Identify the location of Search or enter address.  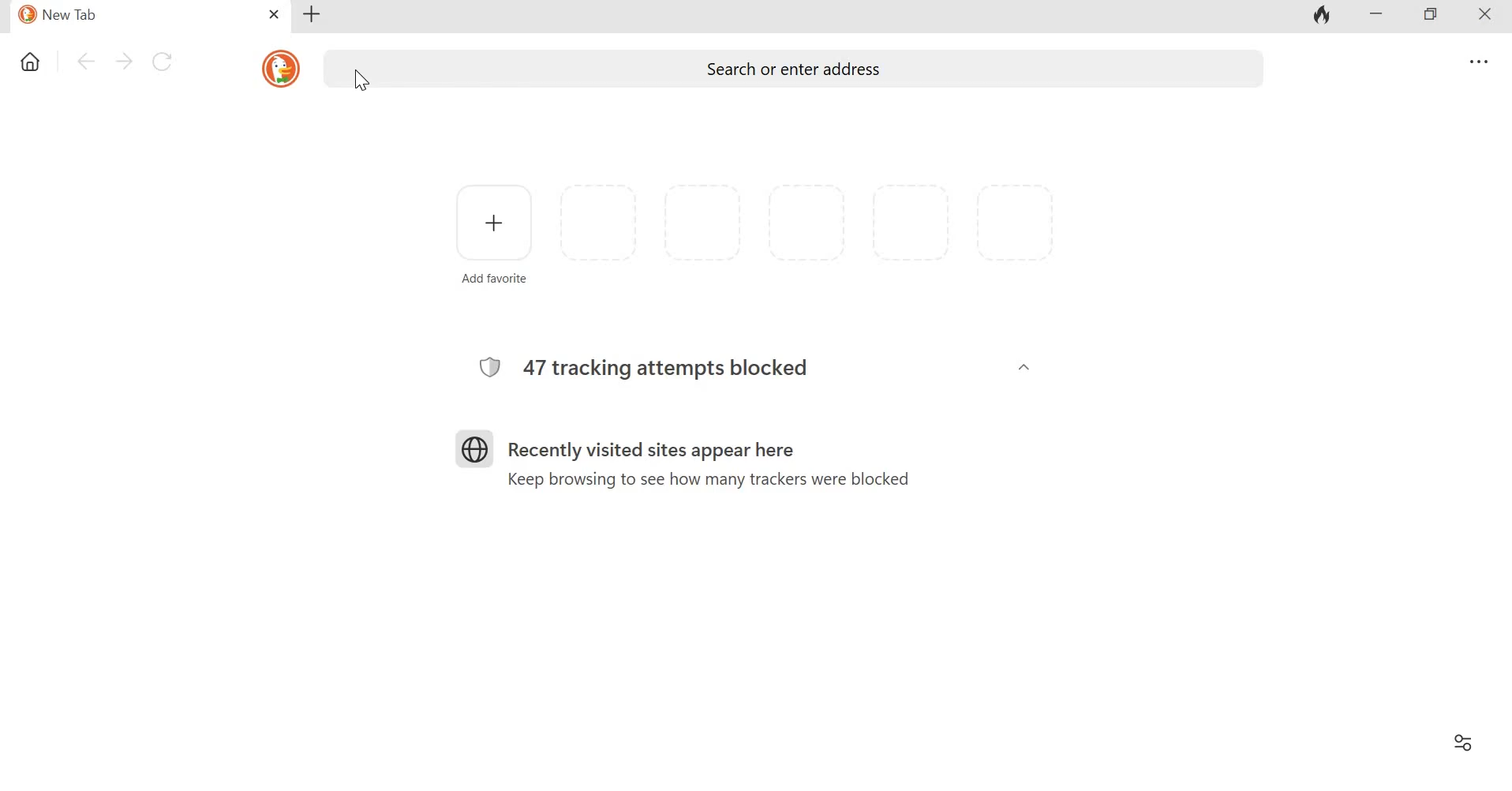
(791, 67).